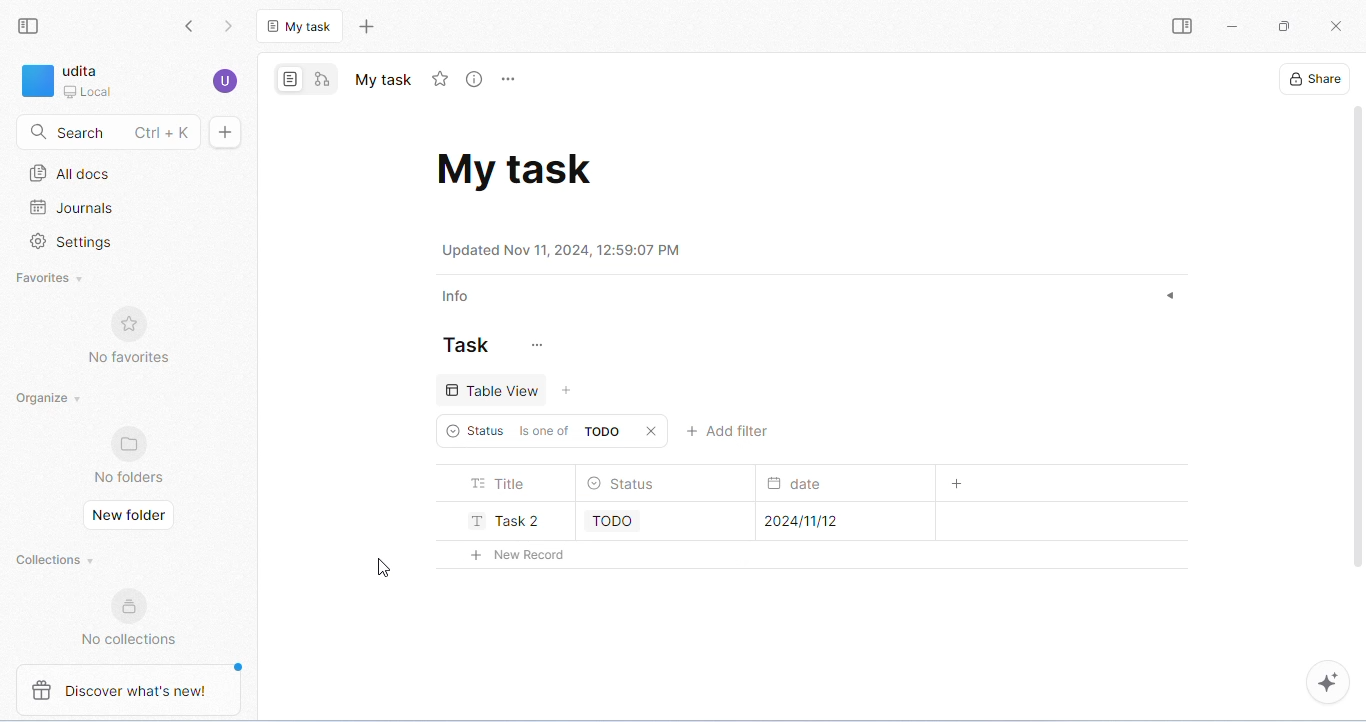 This screenshot has width=1366, height=722. What do you see at coordinates (799, 518) in the screenshot?
I see `submission date for task2` at bounding box center [799, 518].